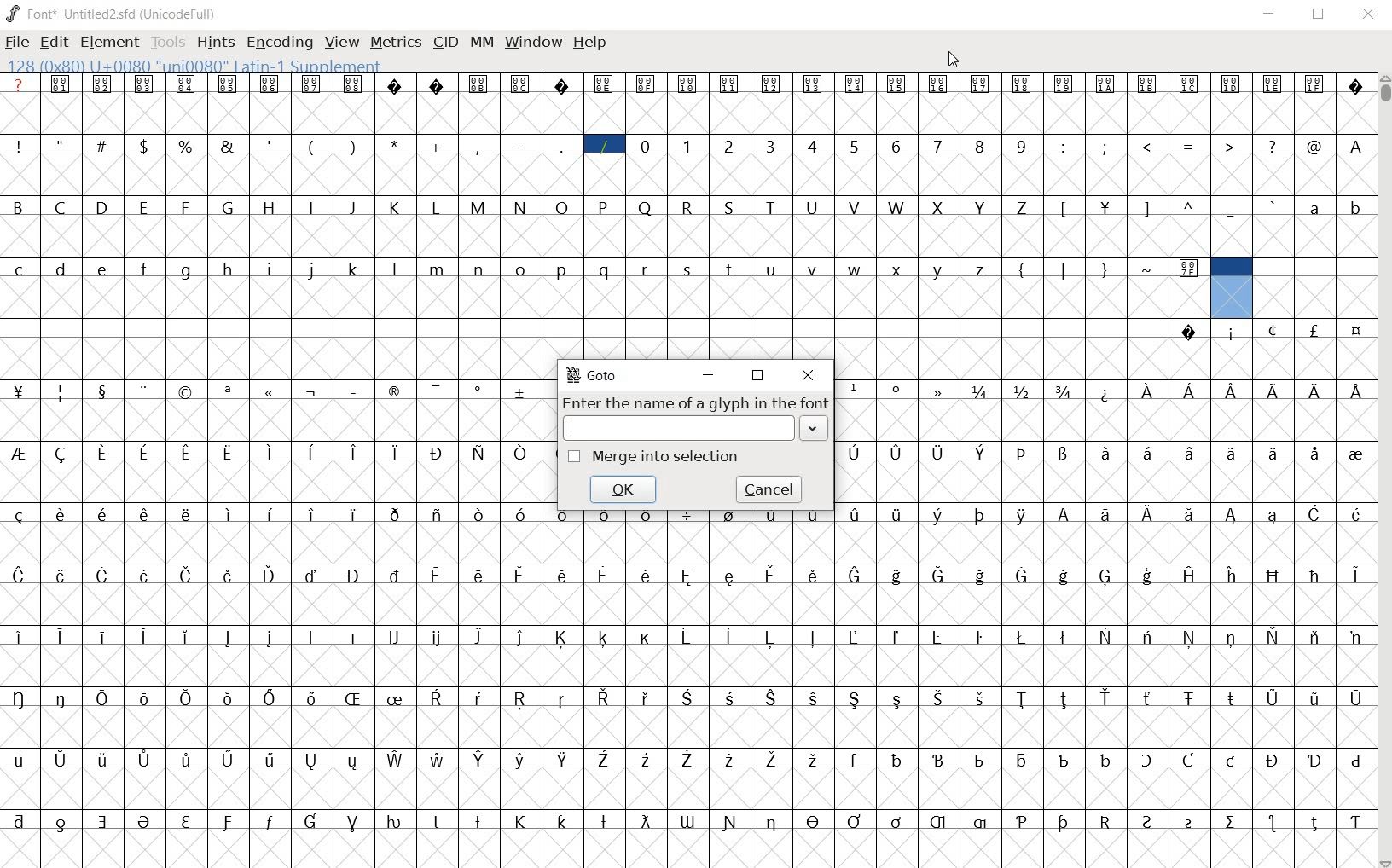 Image resolution: width=1392 pixels, height=868 pixels. What do you see at coordinates (187, 84) in the screenshot?
I see `Symbol` at bounding box center [187, 84].